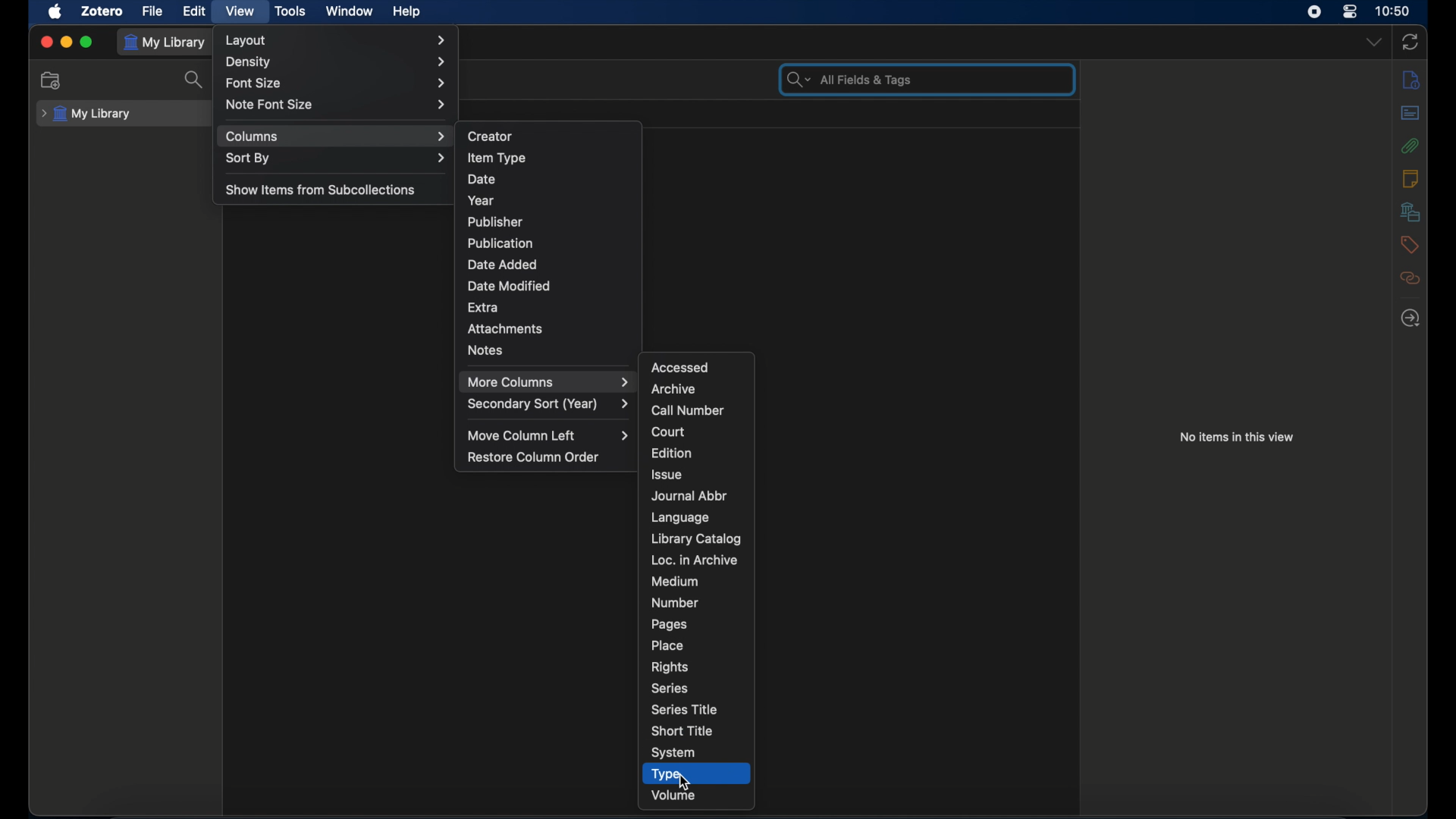 The image size is (1456, 819). What do you see at coordinates (484, 307) in the screenshot?
I see `extra` at bounding box center [484, 307].